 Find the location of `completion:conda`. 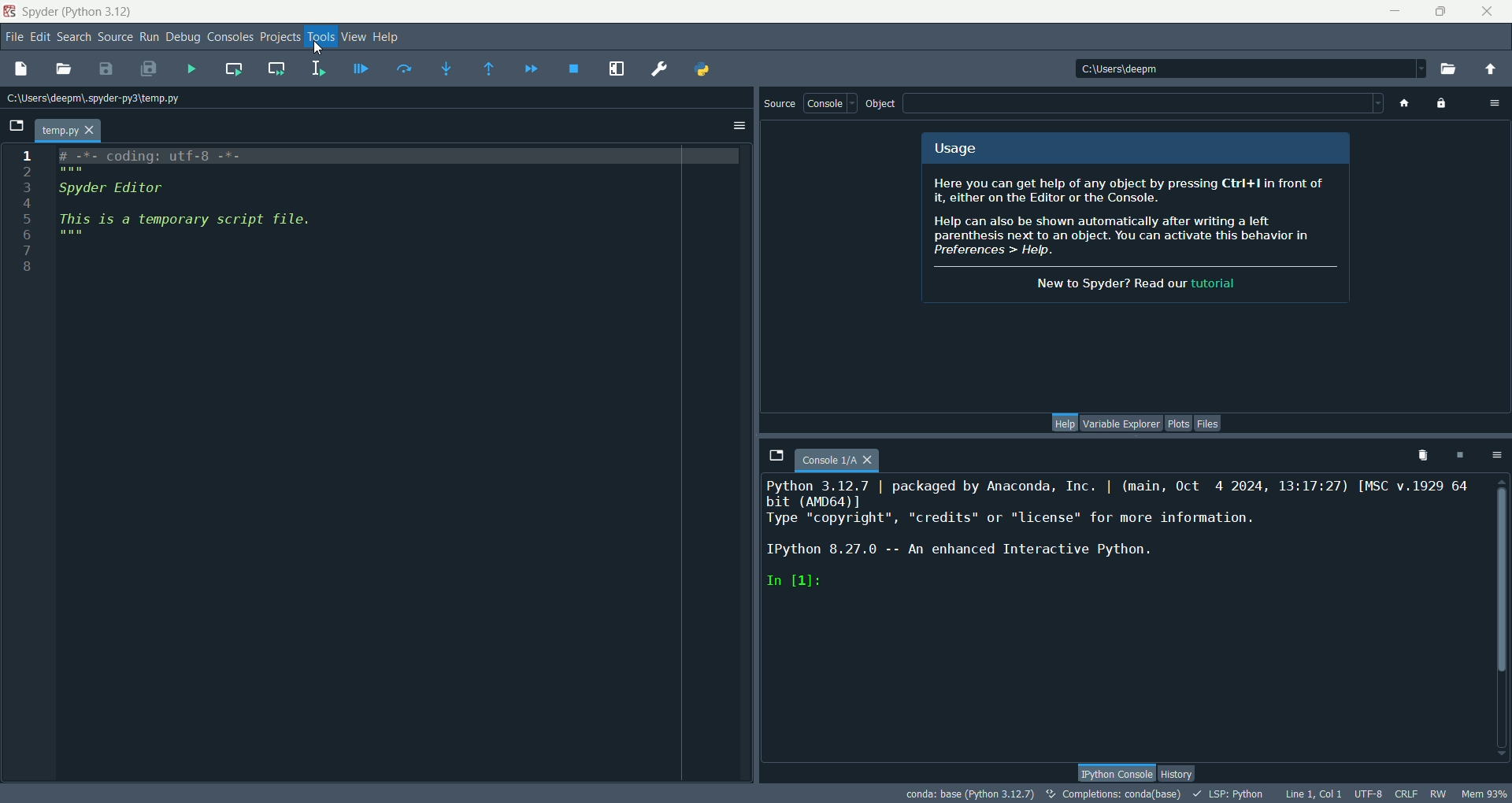

completion:conda is located at coordinates (1113, 796).